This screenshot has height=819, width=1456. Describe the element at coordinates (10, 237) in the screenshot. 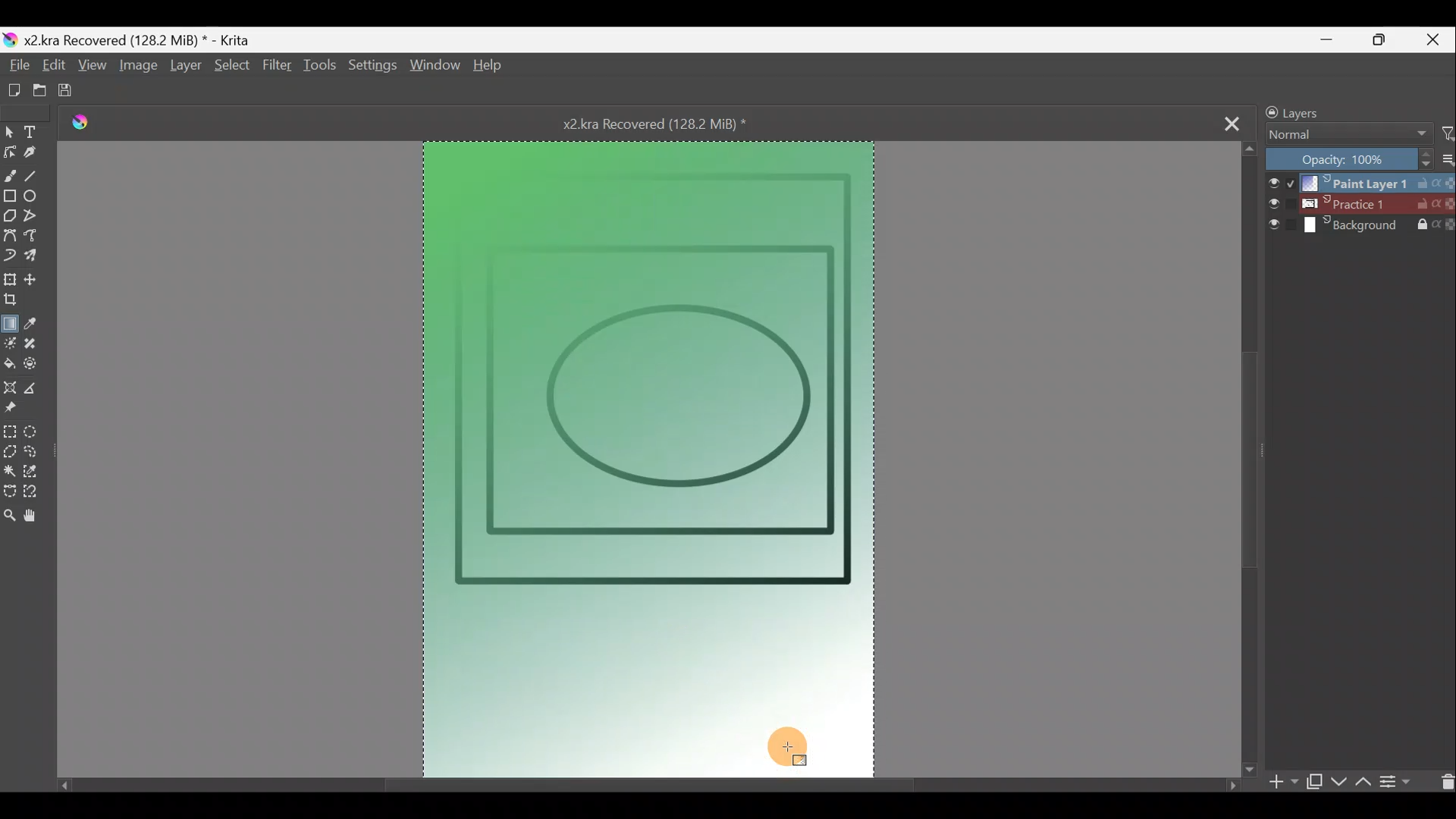

I see `Bezier curve tool` at that location.